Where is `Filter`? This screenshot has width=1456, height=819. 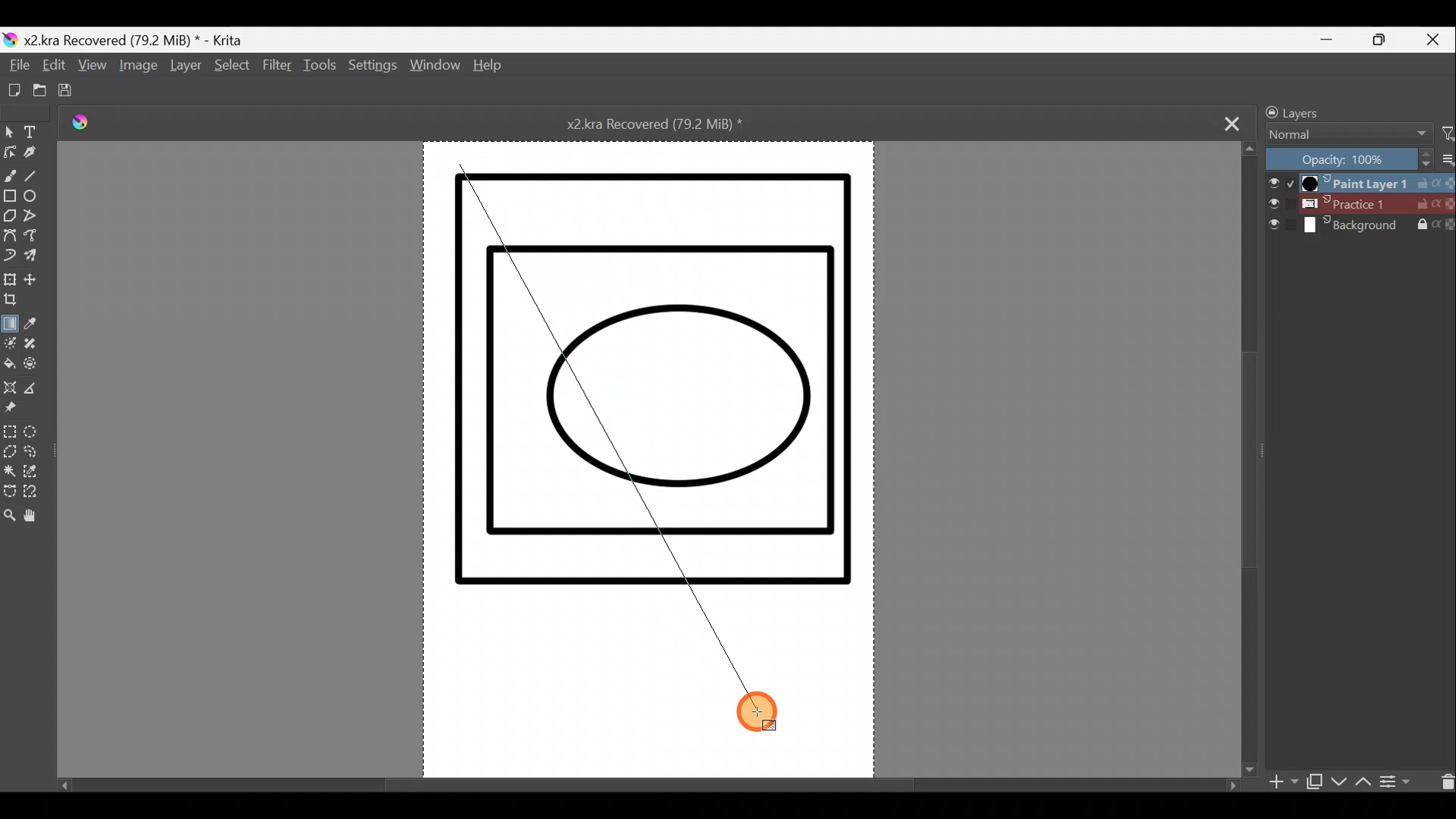 Filter is located at coordinates (1447, 134).